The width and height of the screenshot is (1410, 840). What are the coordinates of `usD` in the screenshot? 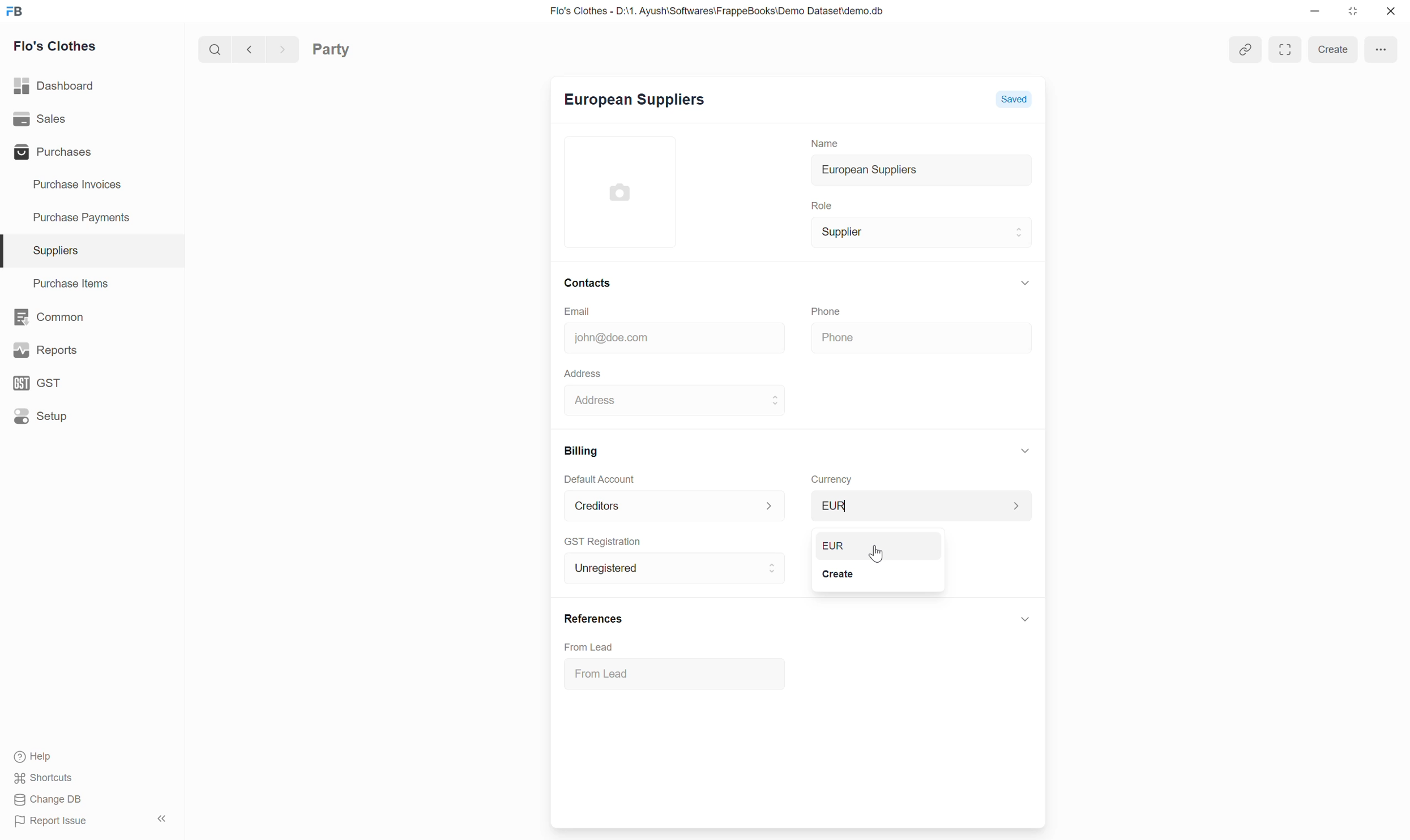 It's located at (834, 503).